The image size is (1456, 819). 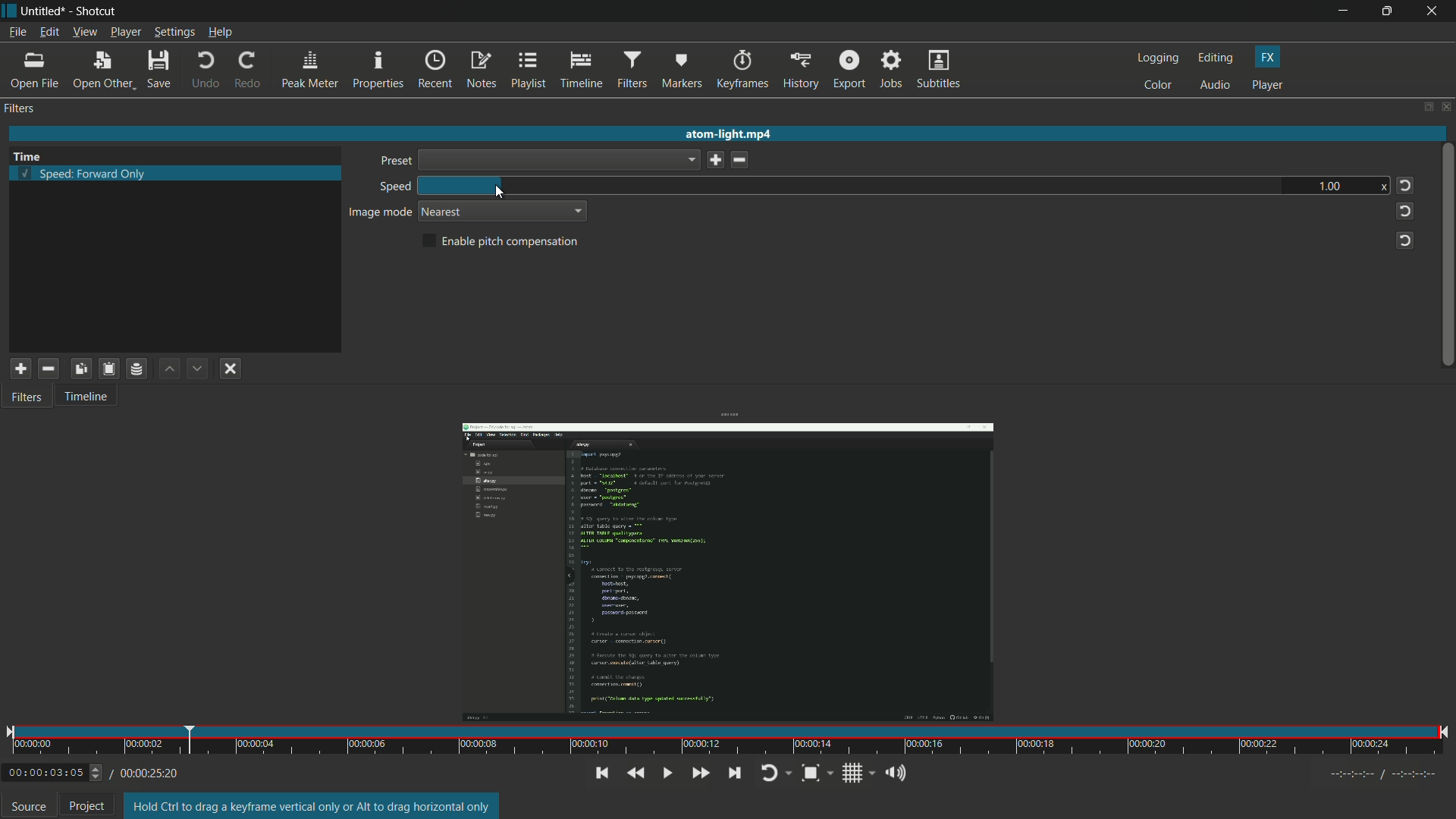 I want to click on undo, so click(x=206, y=71).